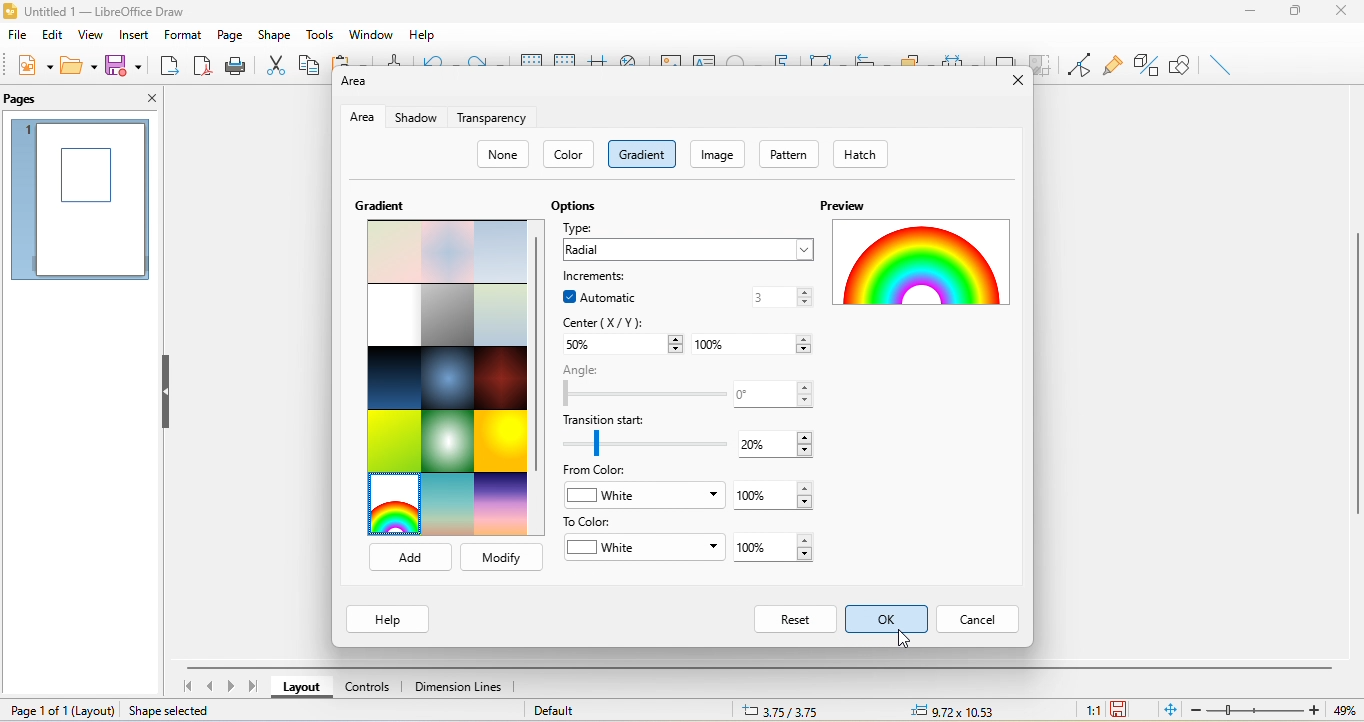 This screenshot has width=1364, height=722. What do you see at coordinates (173, 711) in the screenshot?
I see `shape selected` at bounding box center [173, 711].